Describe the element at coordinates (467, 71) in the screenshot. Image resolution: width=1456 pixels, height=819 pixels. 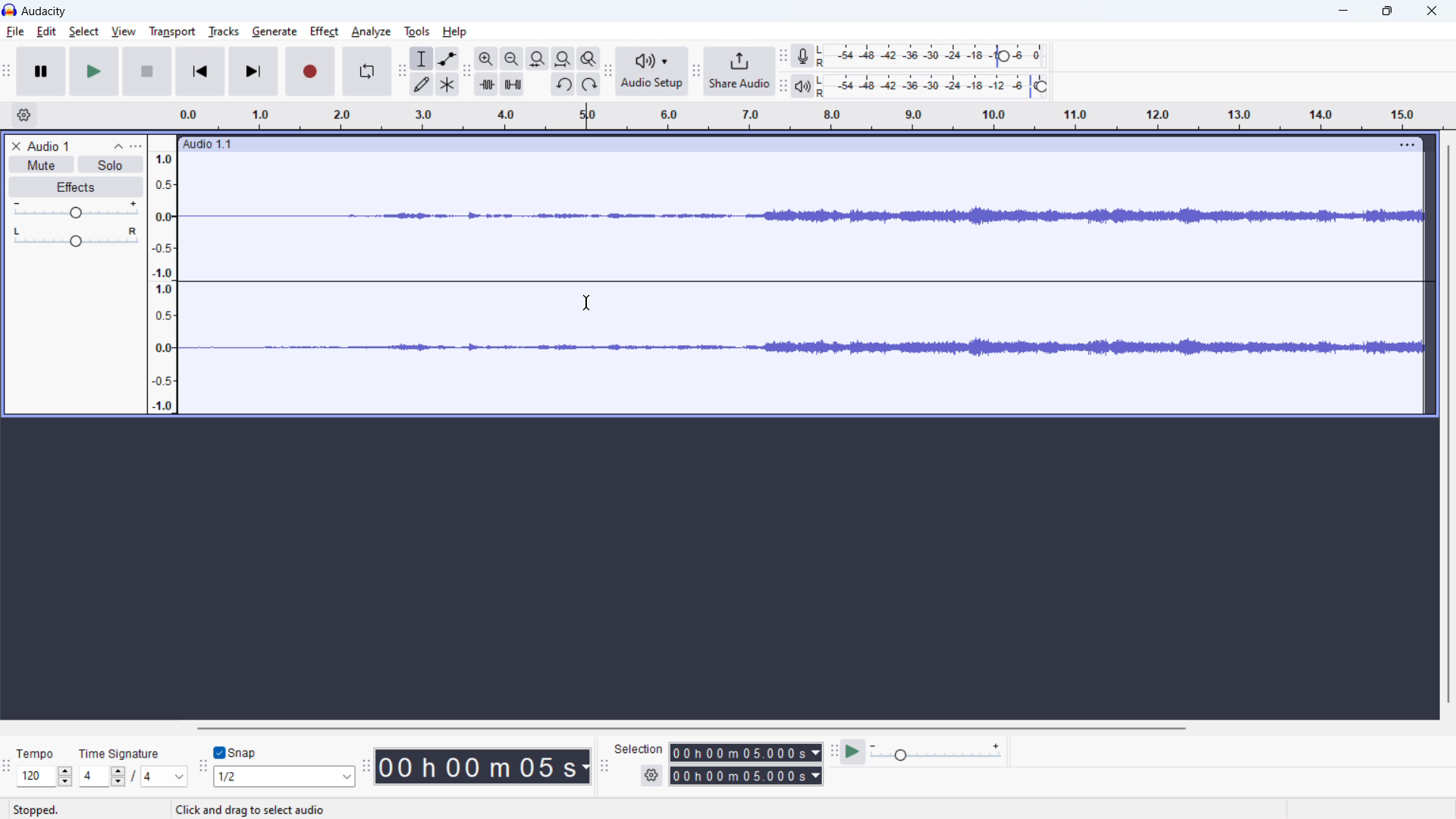
I see `edit toolbar` at that location.